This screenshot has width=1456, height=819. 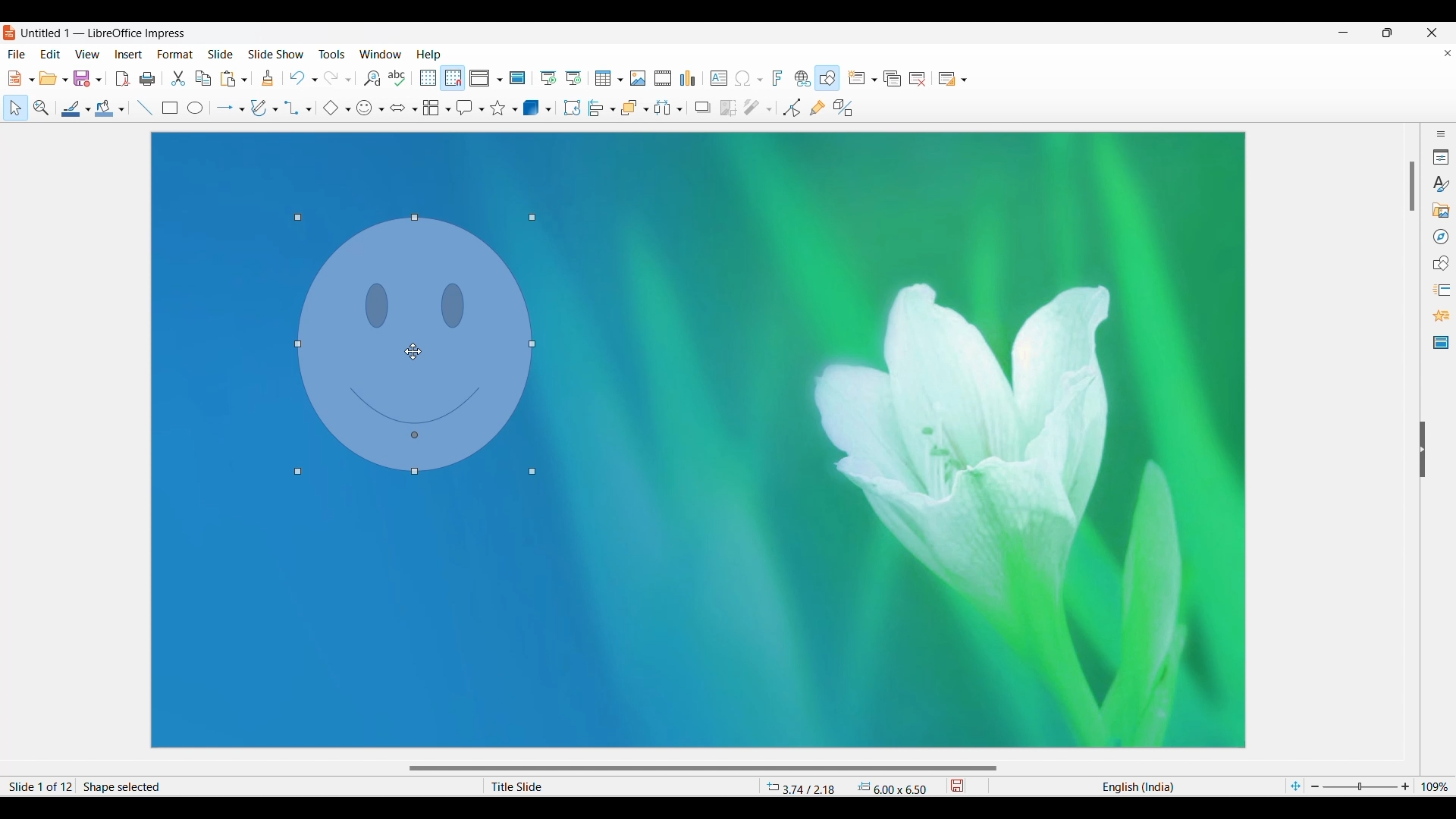 What do you see at coordinates (175, 55) in the screenshot?
I see `Format` at bounding box center [175, 55].